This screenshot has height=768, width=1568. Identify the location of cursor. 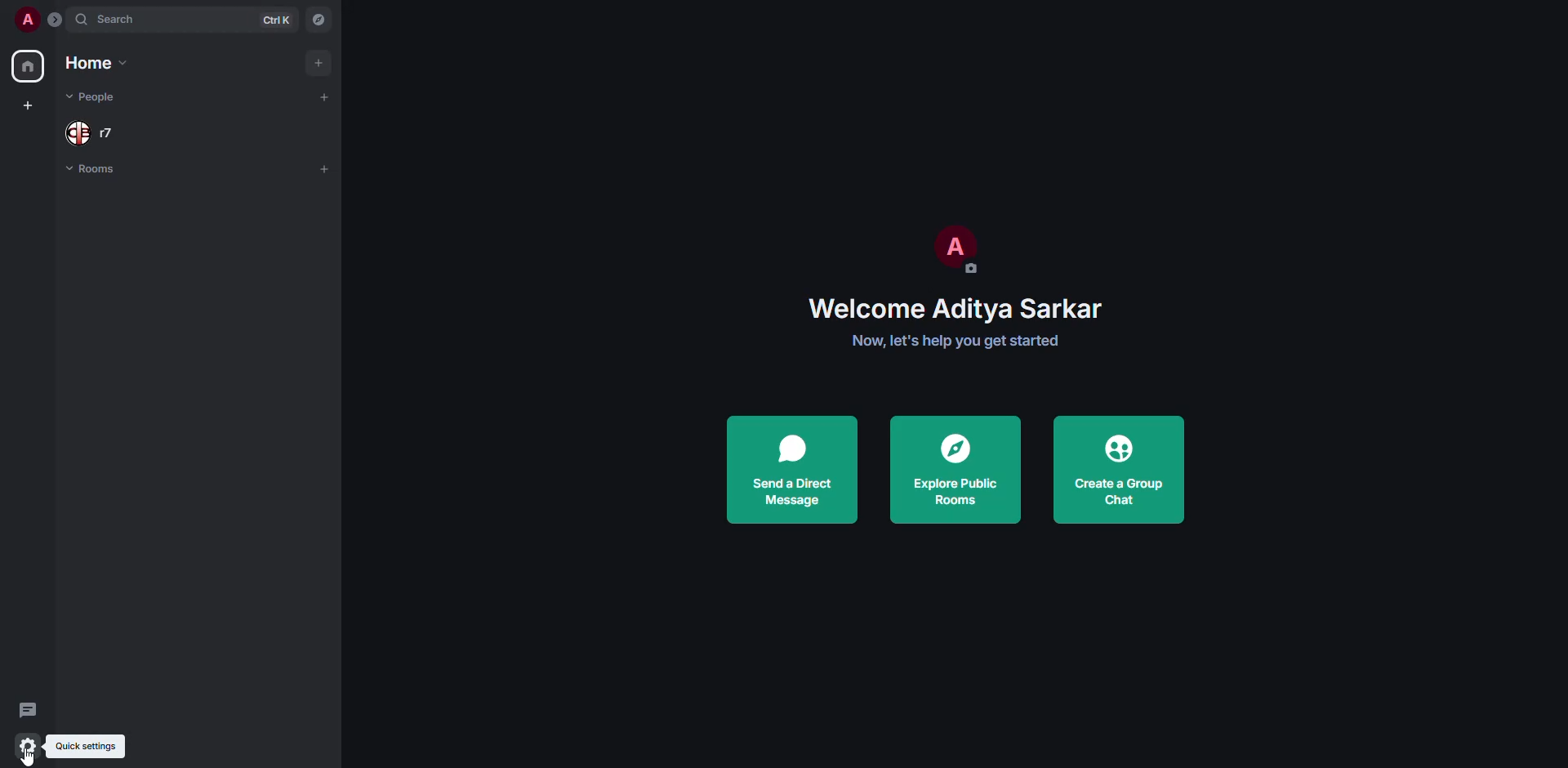
(24, 760).